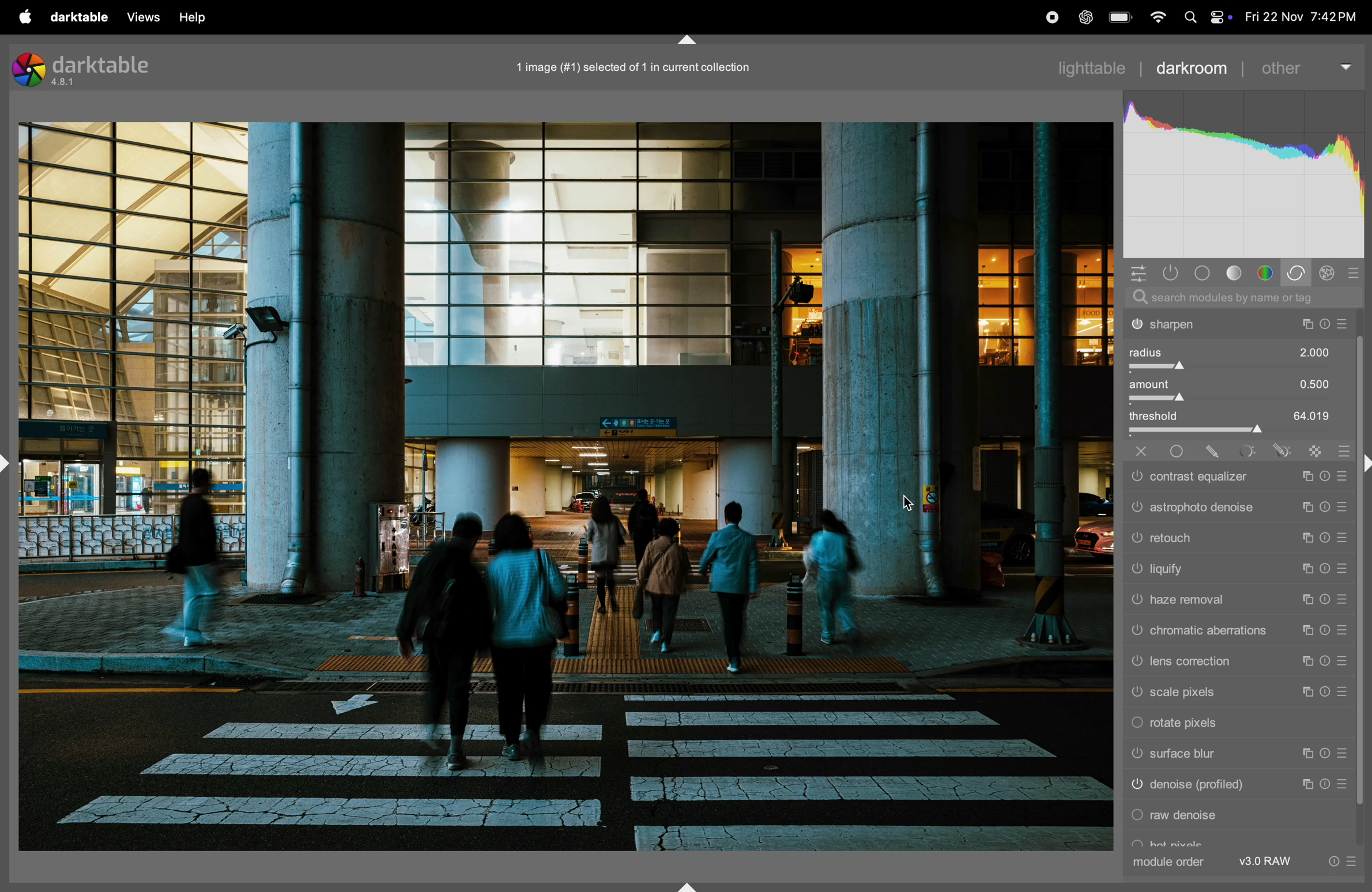 The image size is (1372, 892). Describe the element at coordinates (1239, 451) in the screenshot. I see `parametric mask` at that location.